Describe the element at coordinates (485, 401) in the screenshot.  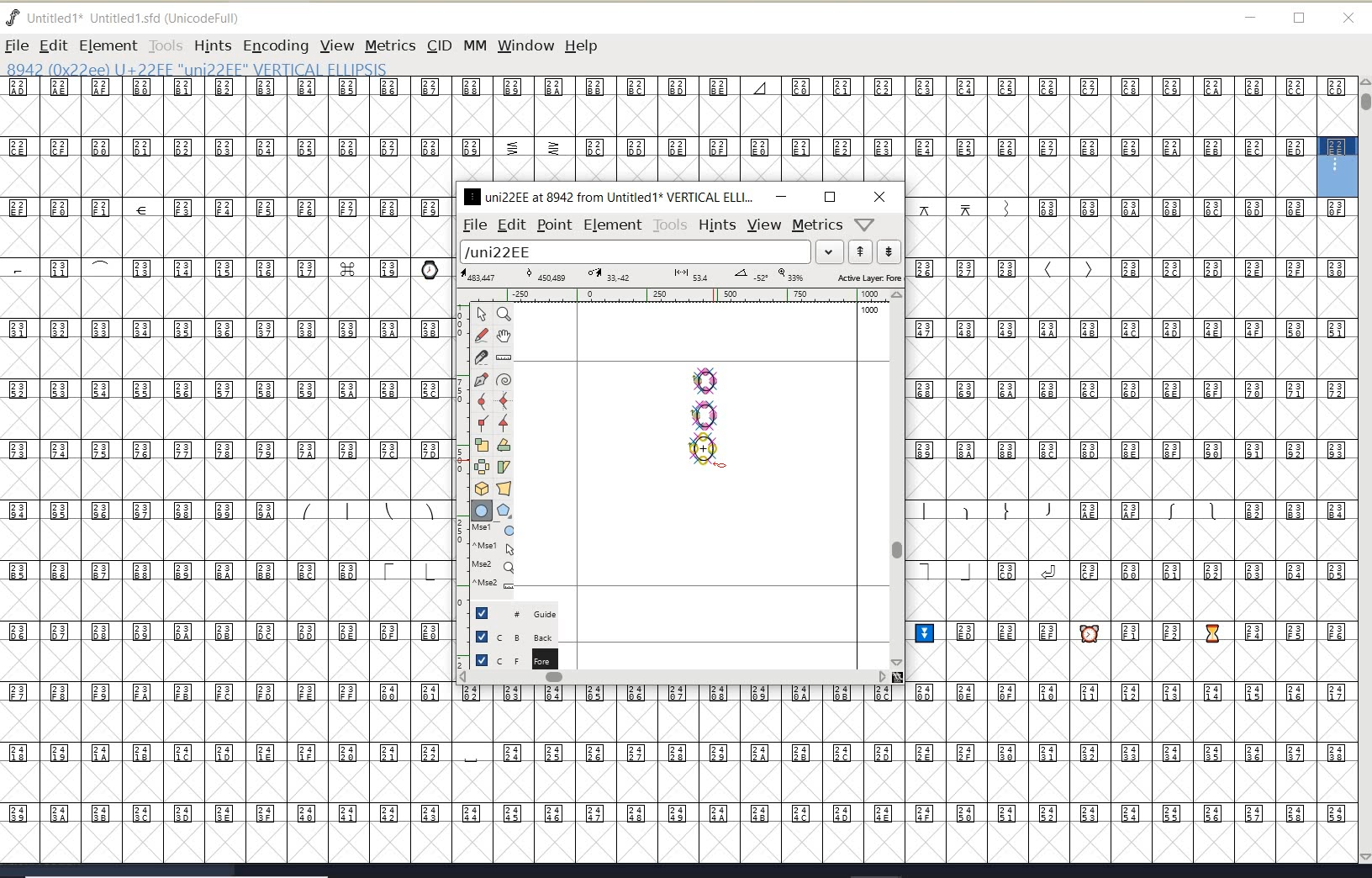
I see `add a curve point` at that location.